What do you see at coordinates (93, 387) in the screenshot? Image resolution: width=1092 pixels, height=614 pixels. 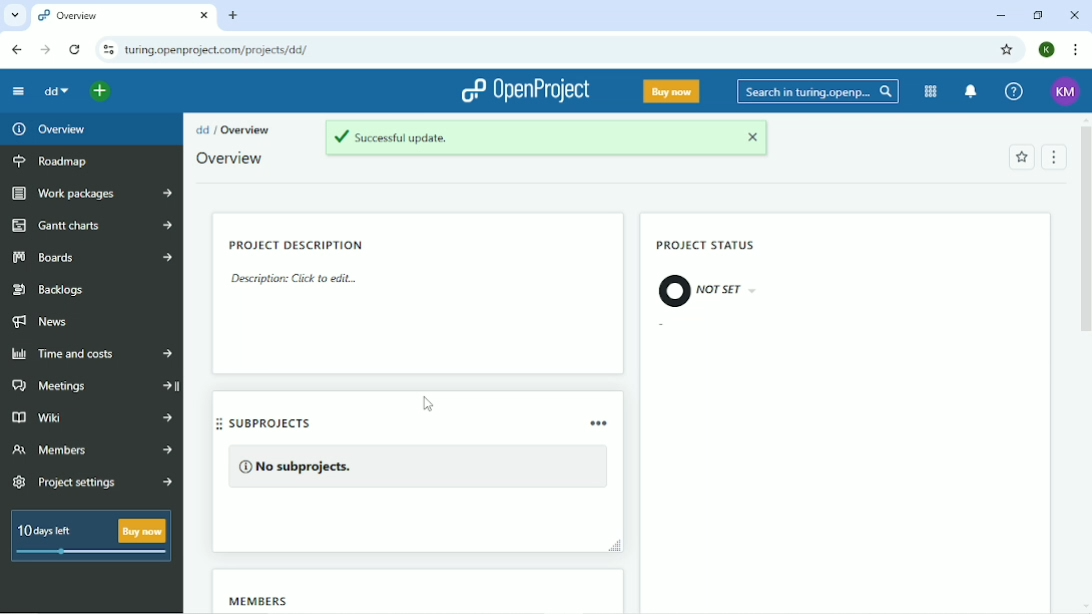 I see `Meetings` at bounding box center [93, 387].